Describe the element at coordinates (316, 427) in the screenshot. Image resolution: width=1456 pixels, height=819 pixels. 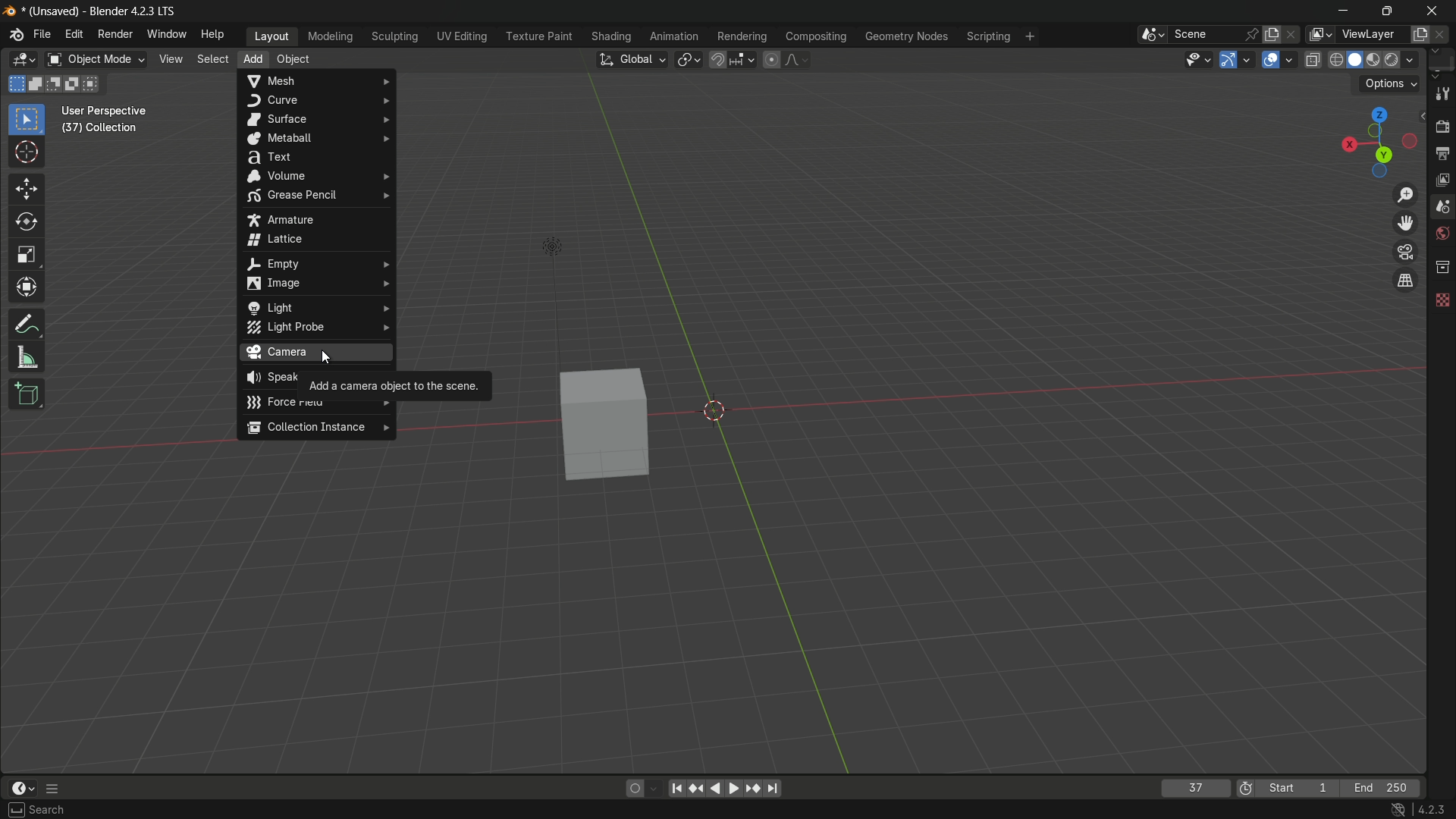
I see `collection instance` at that location.